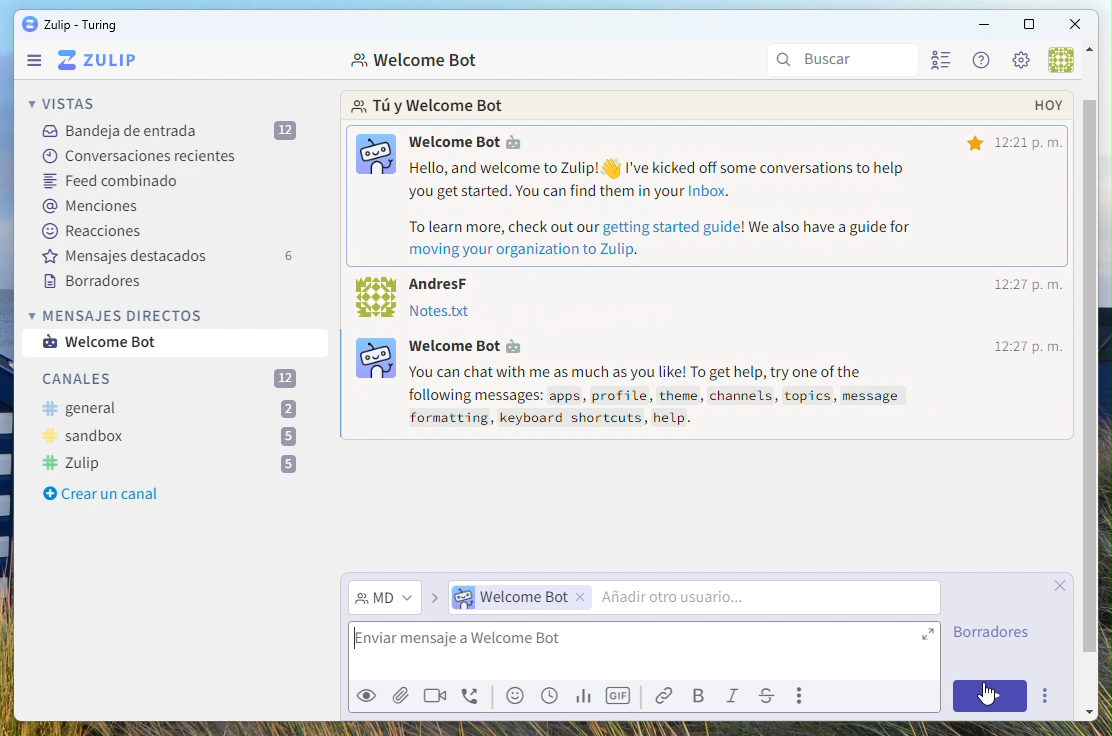  Describe the element at coordinates (35, 62) in the screenshot. I see `Menu` at that location.